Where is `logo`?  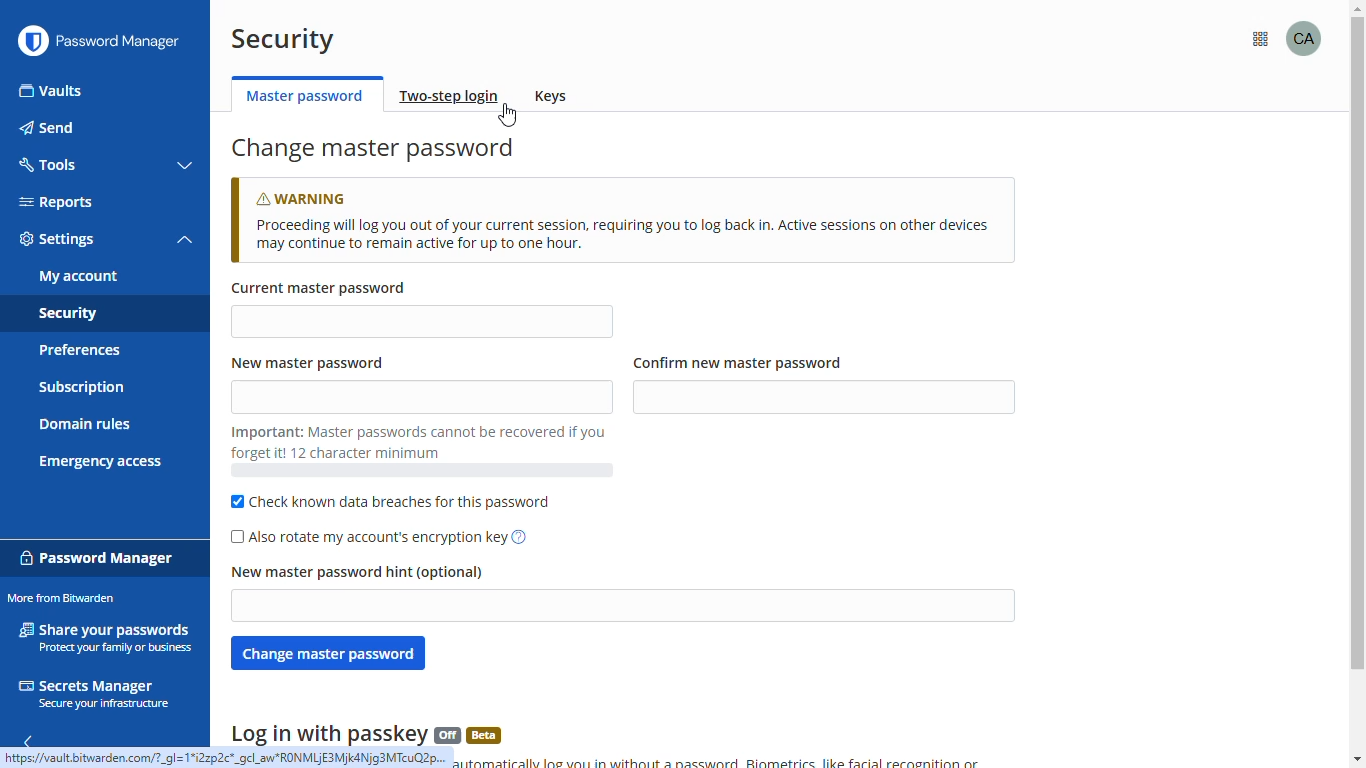
logo is located at coordinates (32, 41).